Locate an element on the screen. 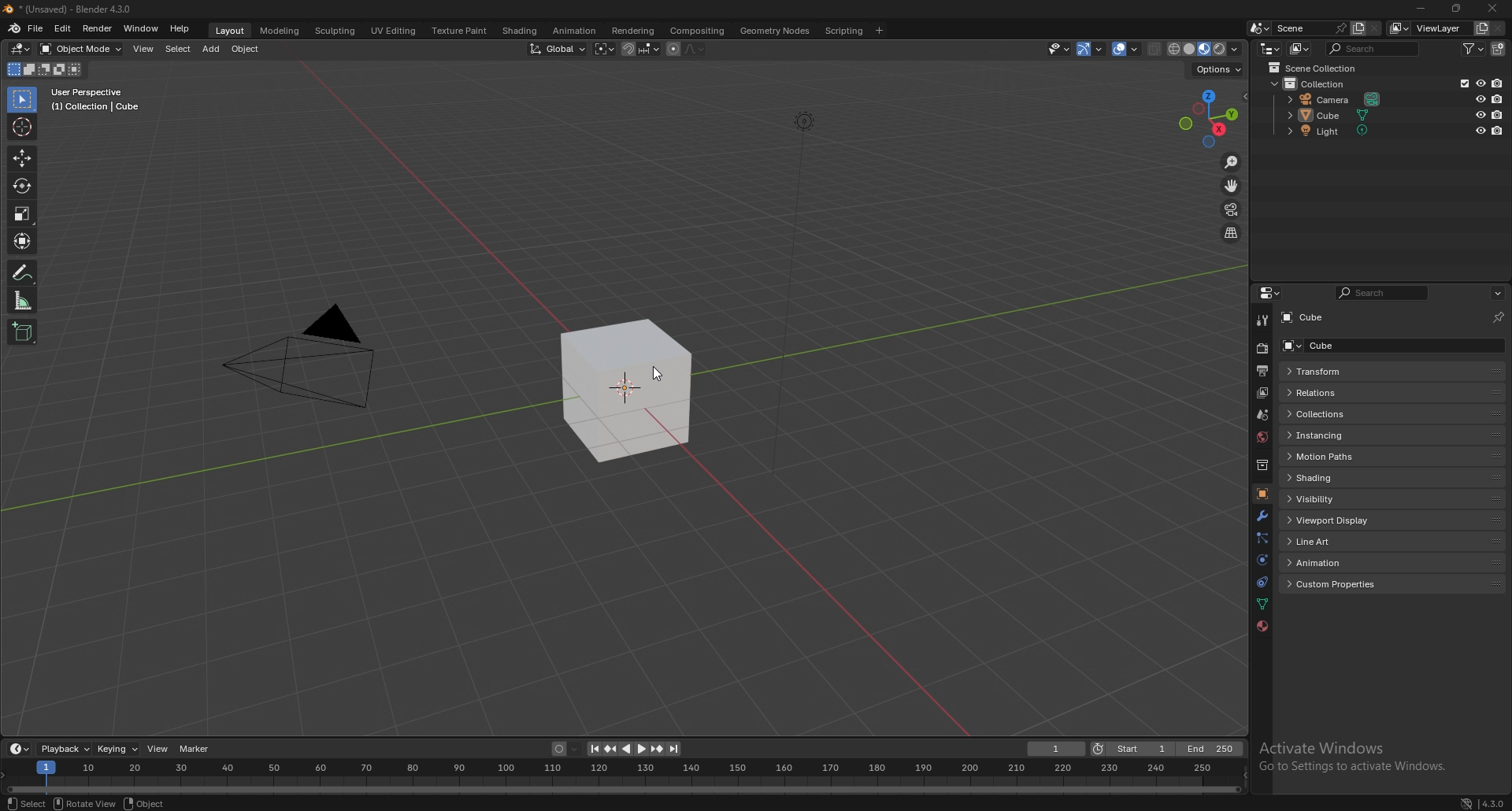 Image resolution: width=1512 pixels, height=811 pixels. jump to keyframe is located at coordinates (610, 749).